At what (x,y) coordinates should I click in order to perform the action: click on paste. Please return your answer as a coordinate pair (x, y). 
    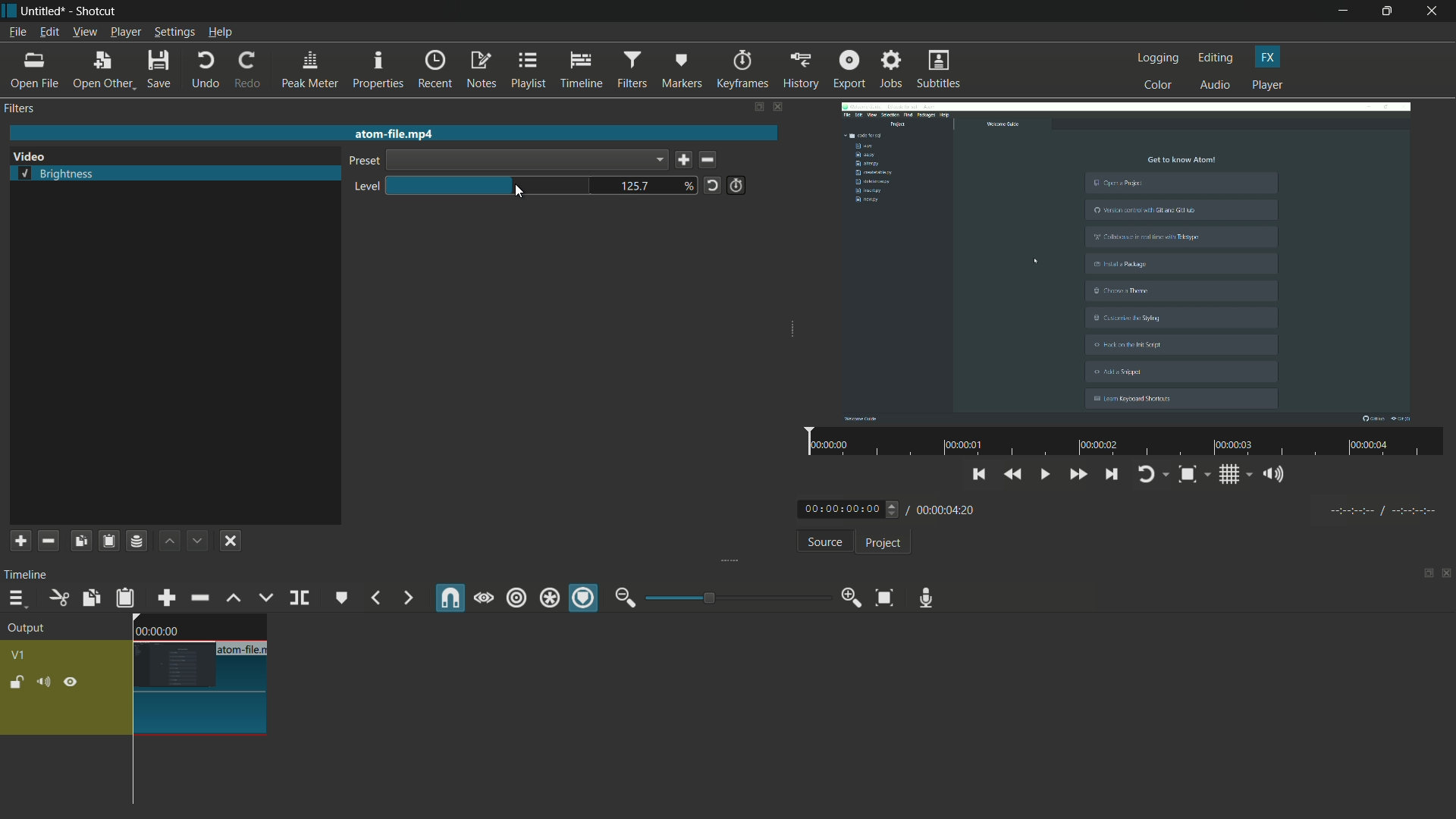
    Looking at the image, I should click on (125, 598).